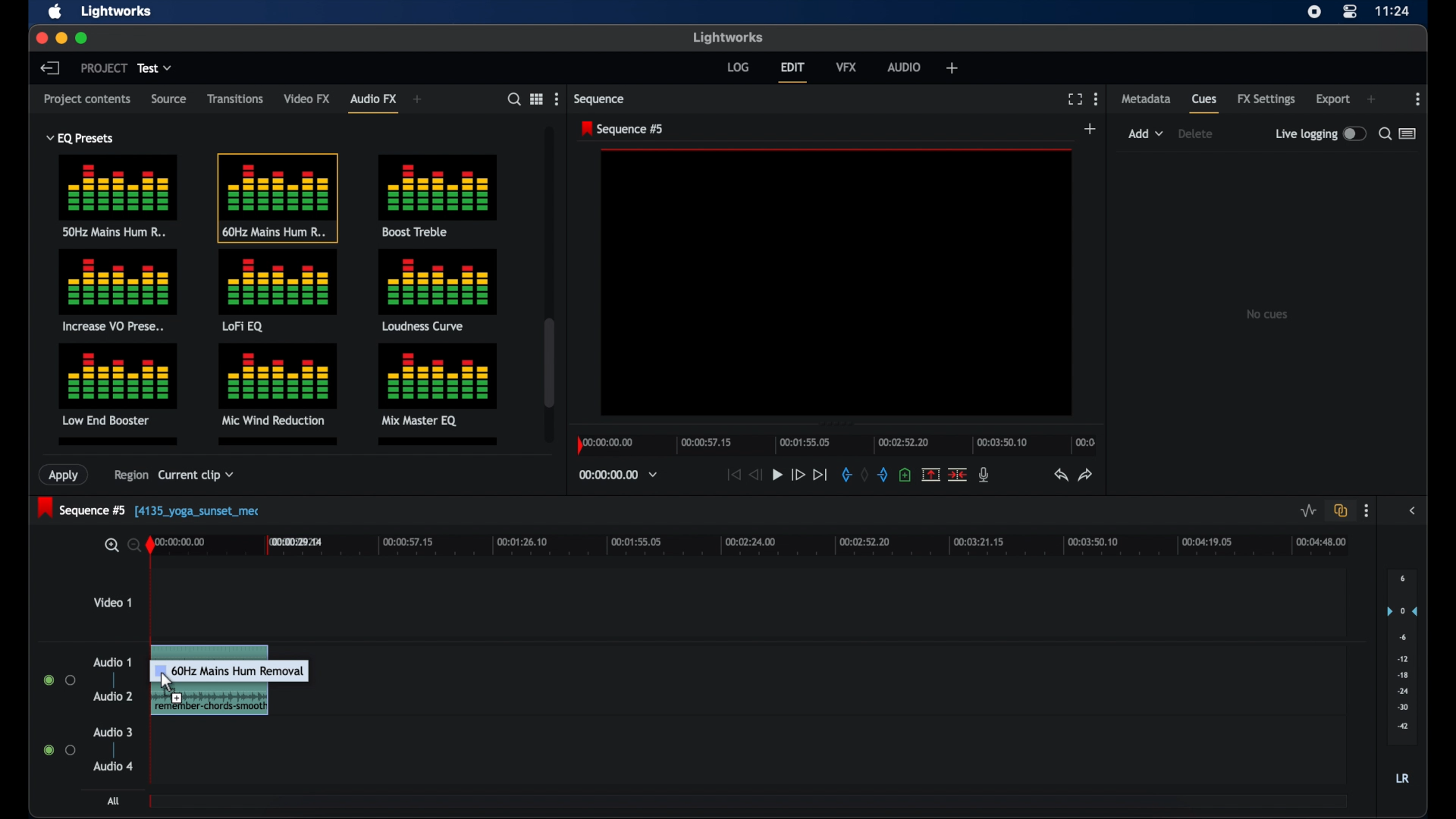  What do you see at coordinates (112, 733) in the screenshot?
I see `audio 3` at bounding box center [112, 733].